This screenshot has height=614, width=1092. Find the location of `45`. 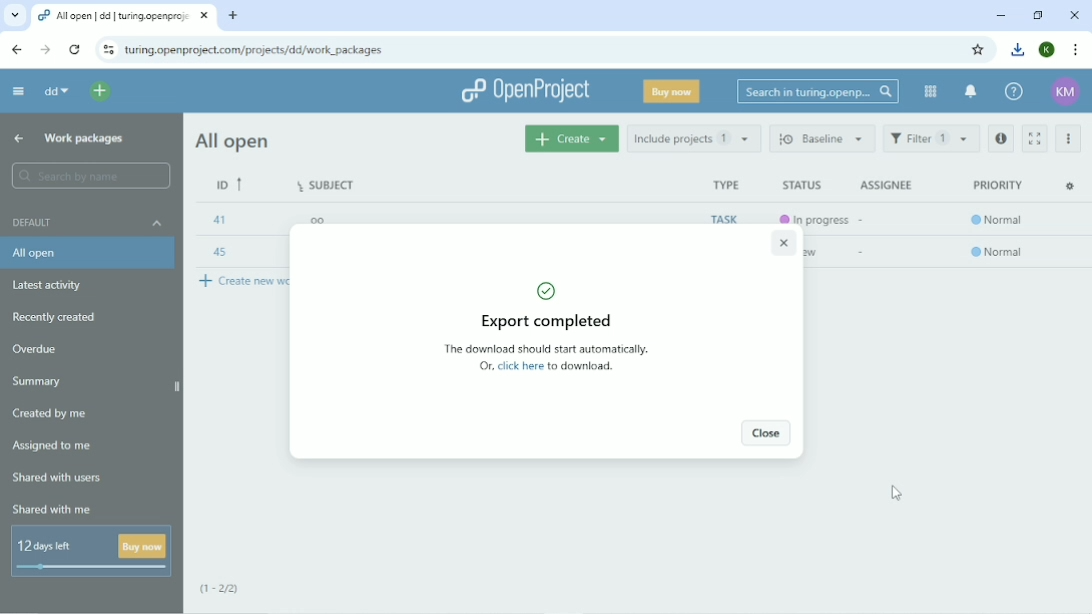

45 is located at coordinates (220, 254).